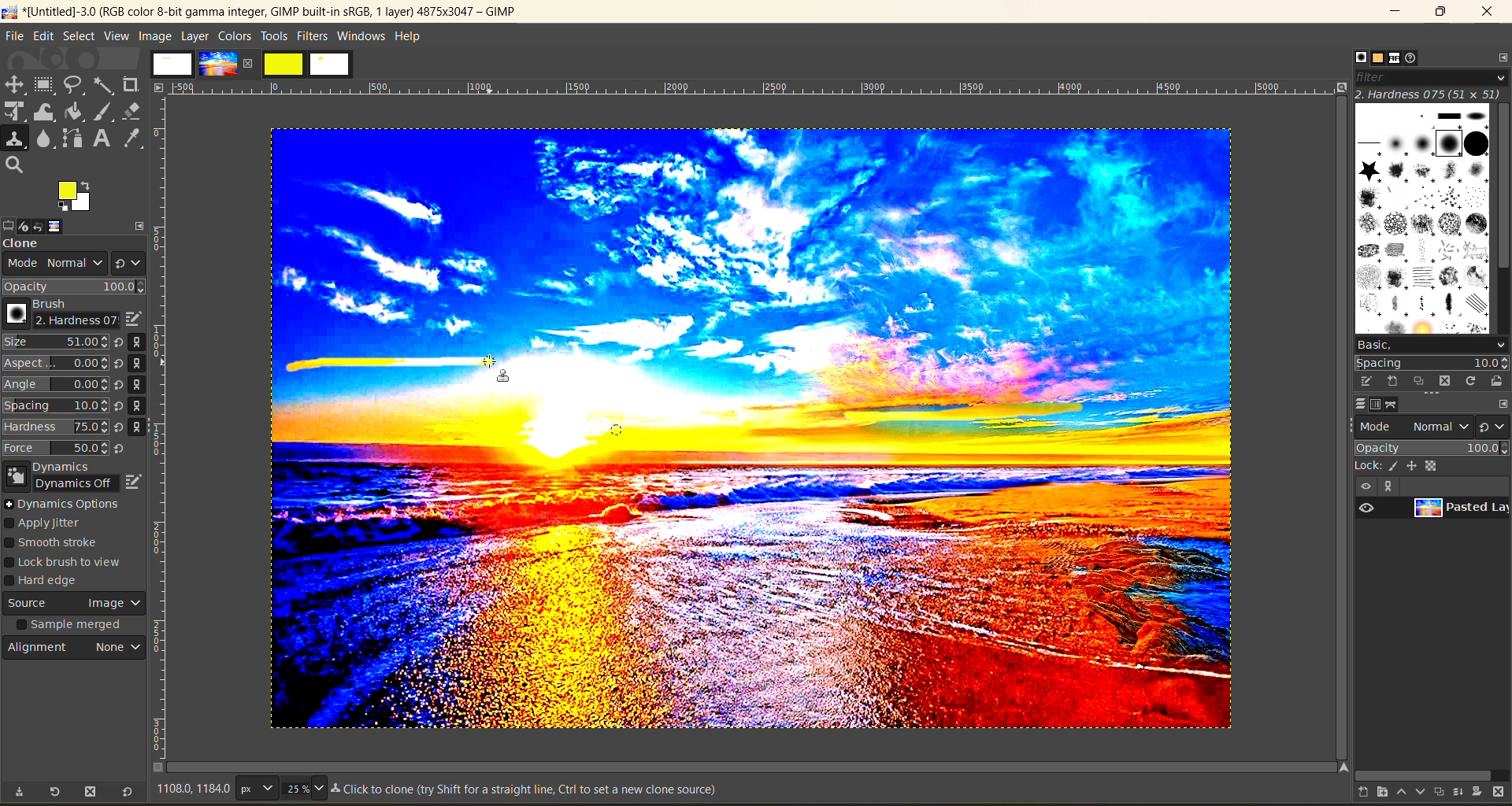 The height and width of the screenshot is (806, 1512). Describe the element at coordinates (132, 111) in the screenshot. I see `erase` at that location.